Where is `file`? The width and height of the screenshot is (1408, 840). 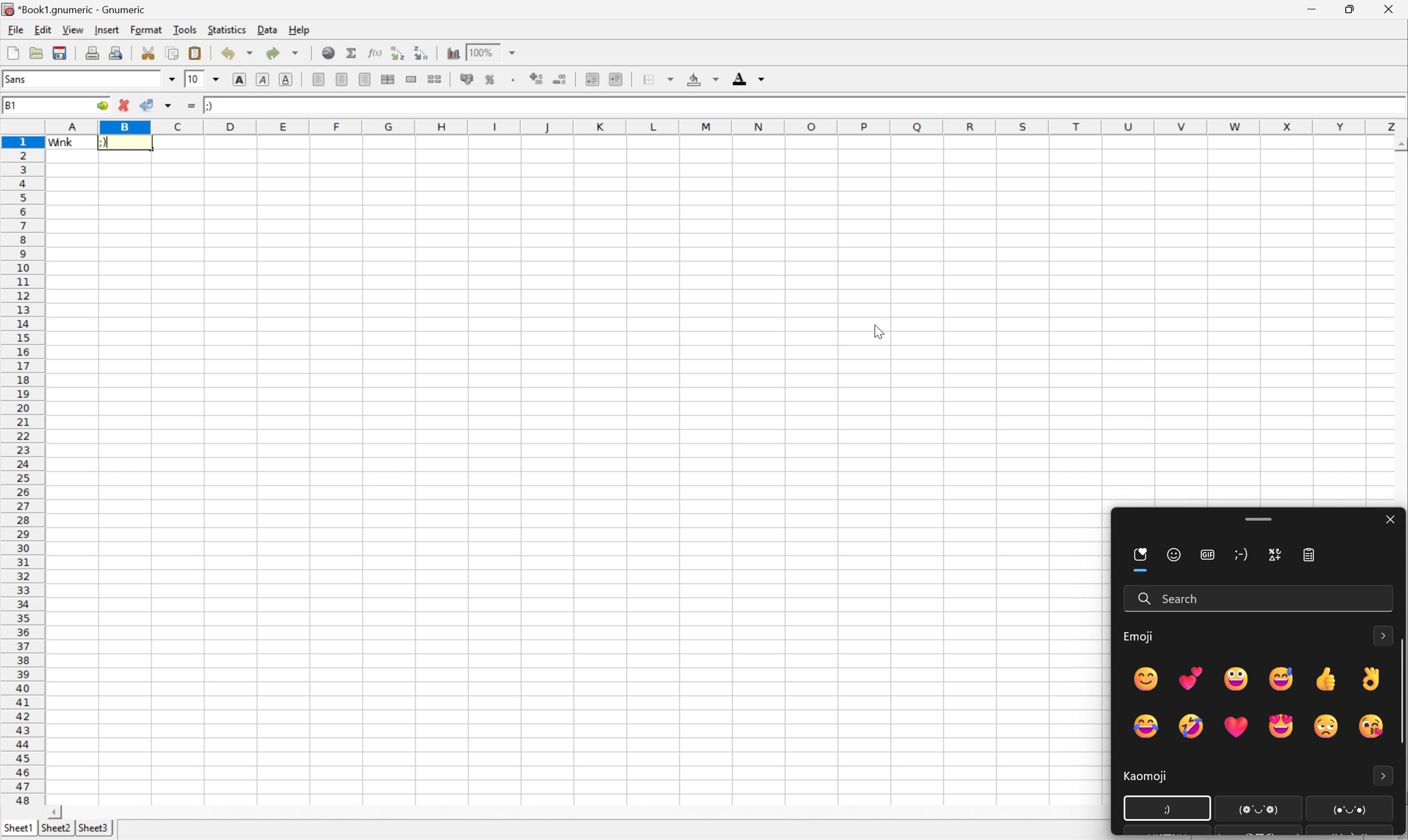 file is located at coordinates (15, 29).